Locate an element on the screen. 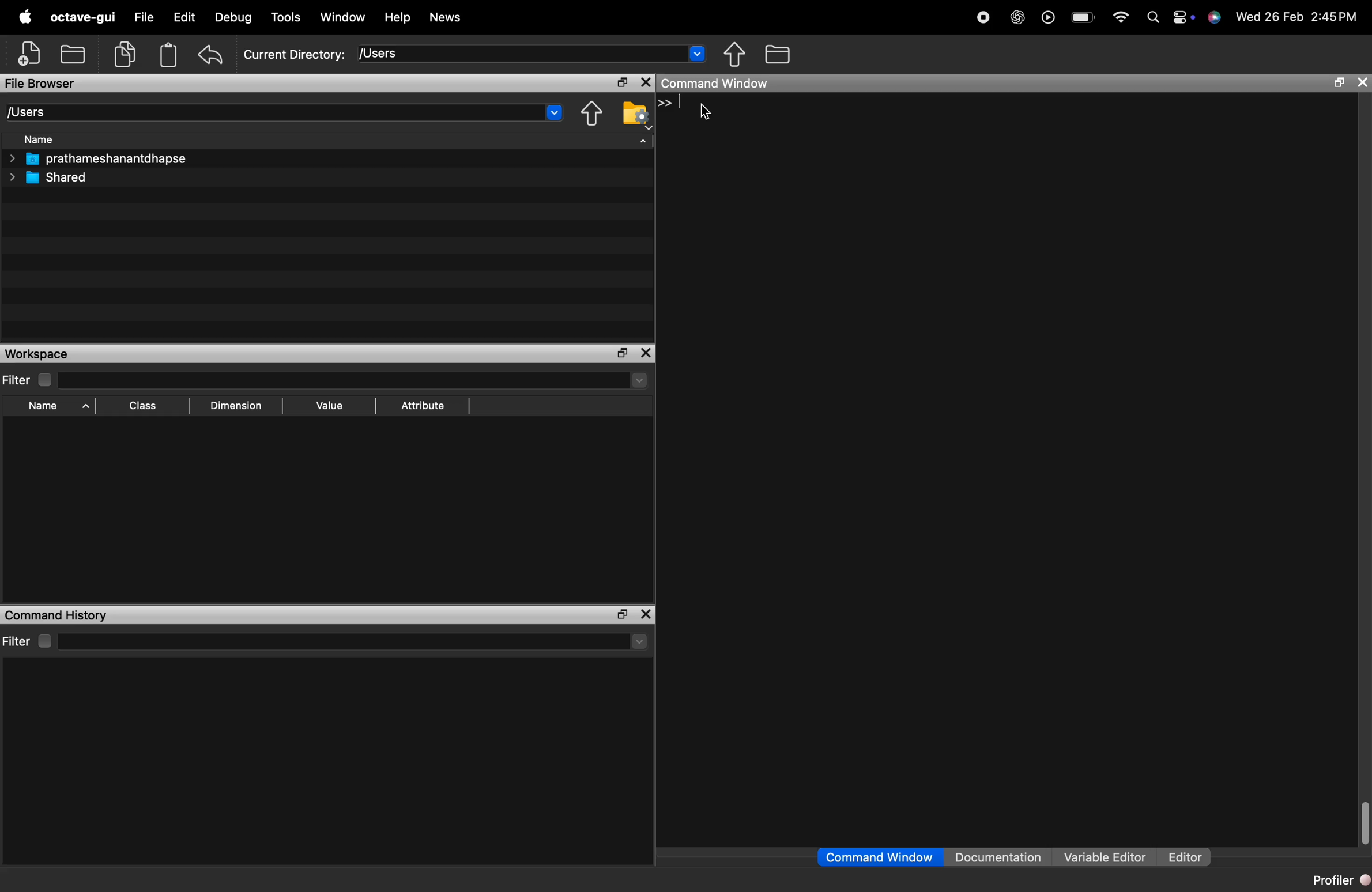 The width and height of the screenshot is (1372, 892). dropdown is located at coordinates (552, 114).